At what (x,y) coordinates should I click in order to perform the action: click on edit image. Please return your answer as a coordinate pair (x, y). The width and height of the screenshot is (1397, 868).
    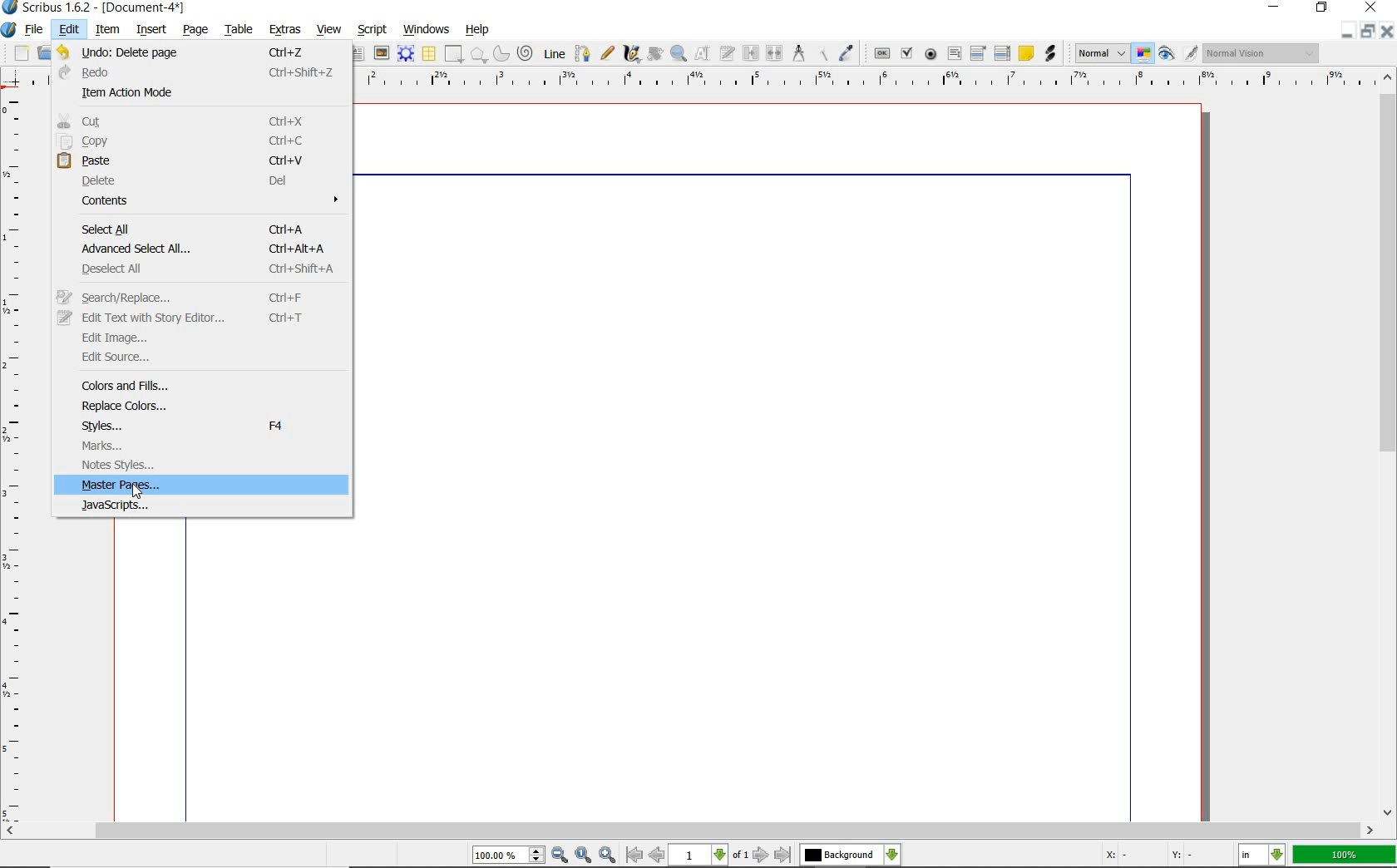
    Looking at the image, I should click on (204, 337).